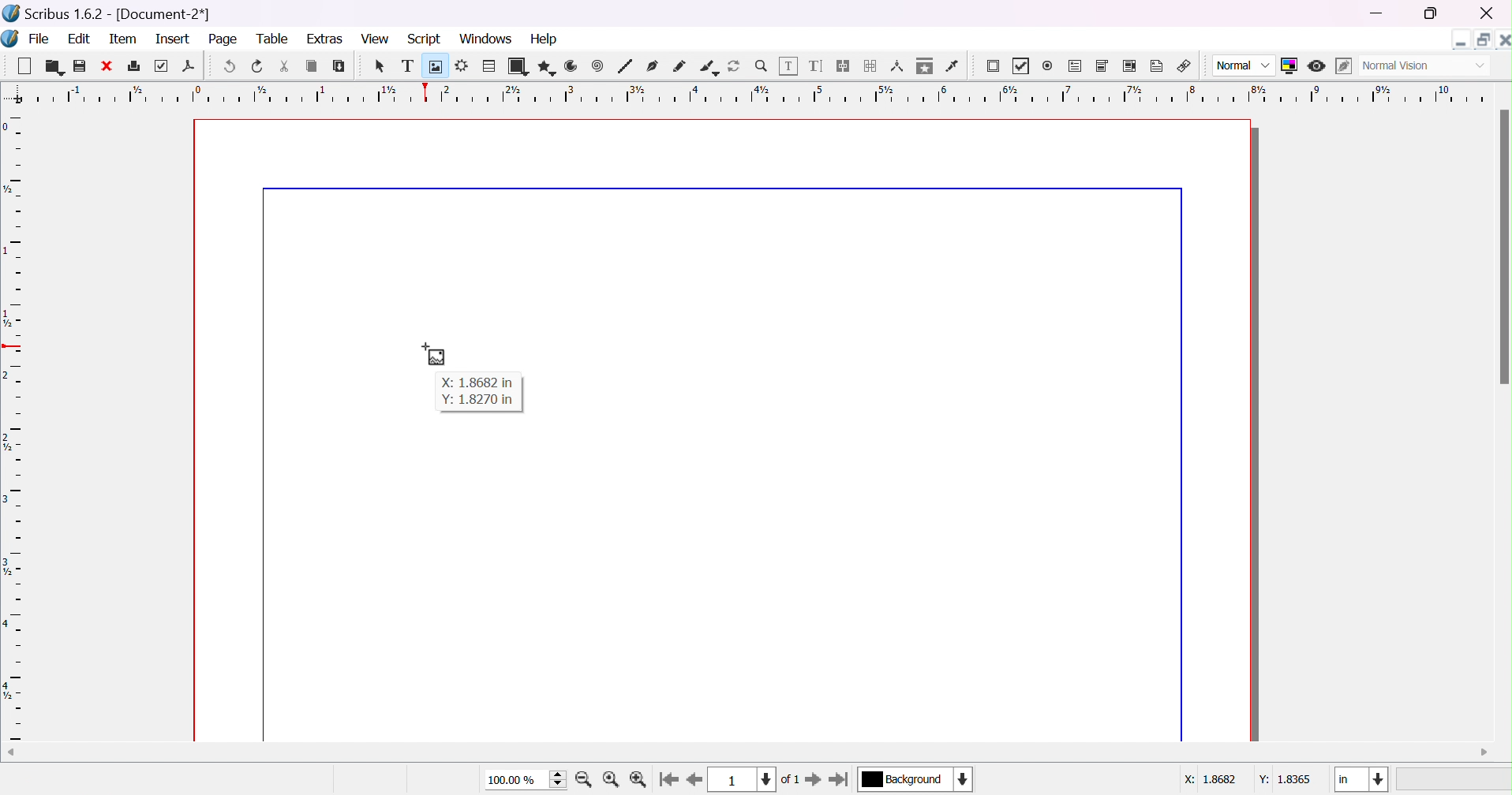 Image resolution: width=1512 pixels, height=795 pixels. I want to click on image frame, so click(436, 66).